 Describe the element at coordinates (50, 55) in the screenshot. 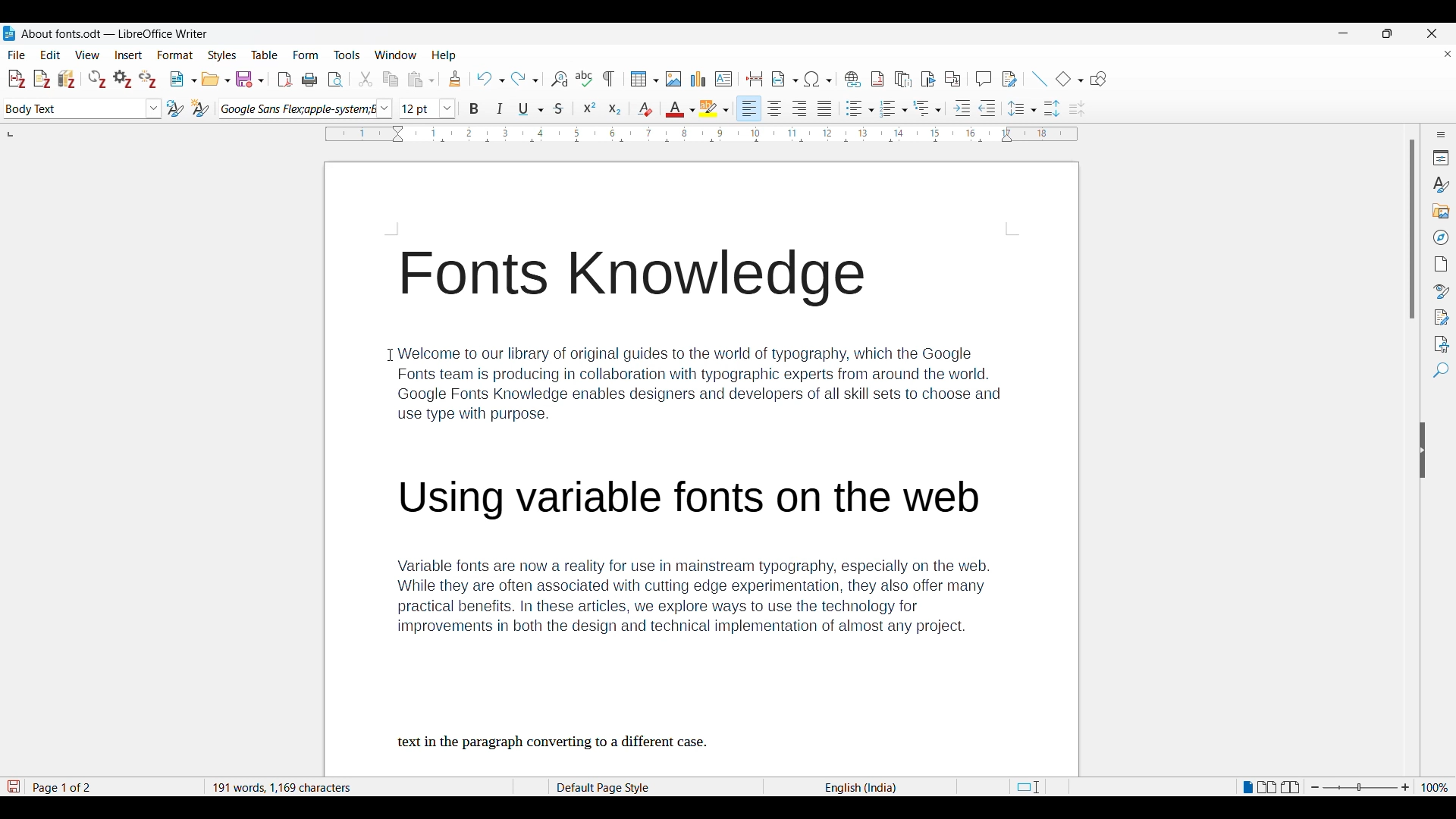

I see `Edit menu` at that location.